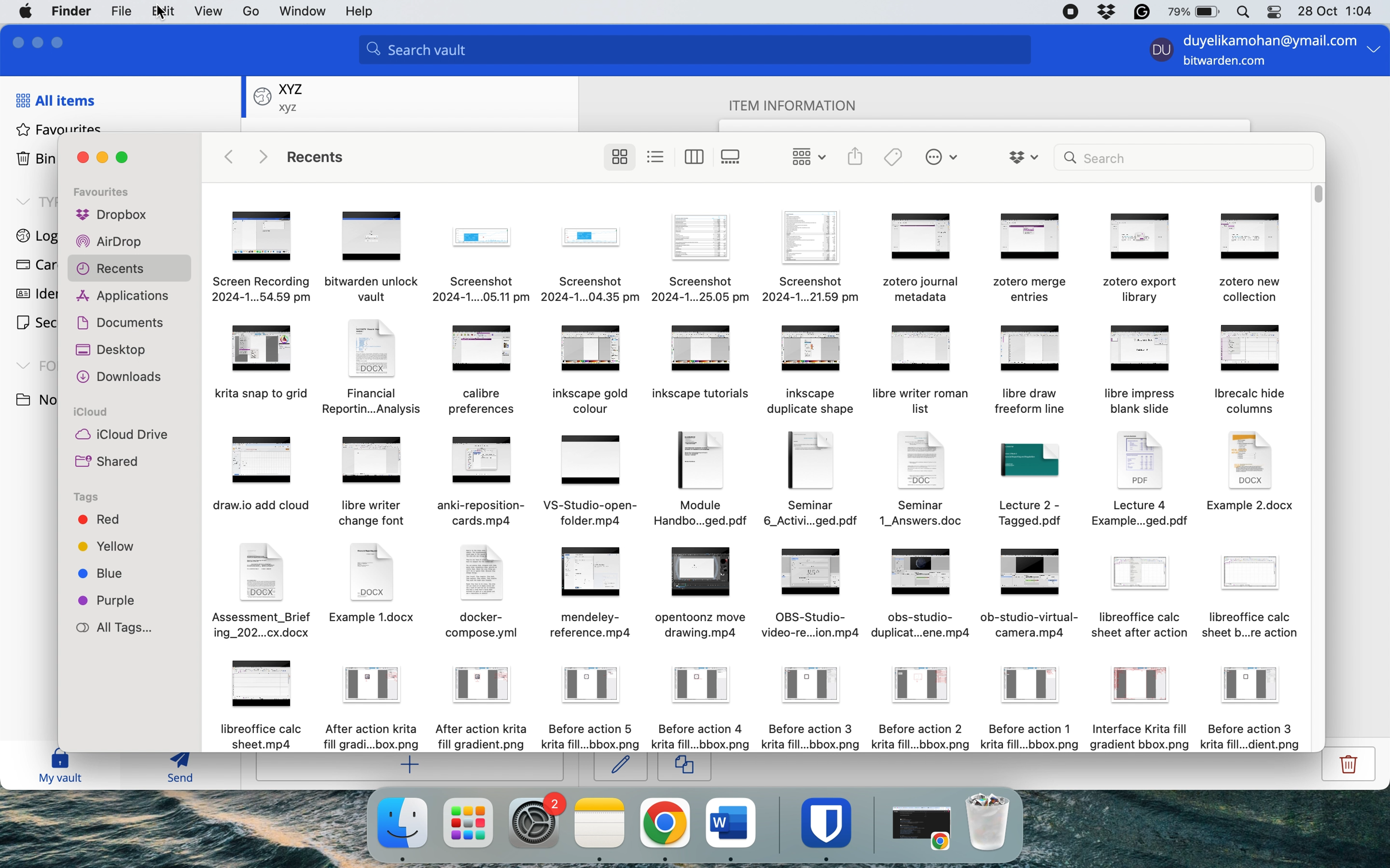 The width and height of the screenshot is (1390, 868). What do you see at coordinates (99, 521) in the screenshot?
I see `red tag` at bounding box center [99, 521].